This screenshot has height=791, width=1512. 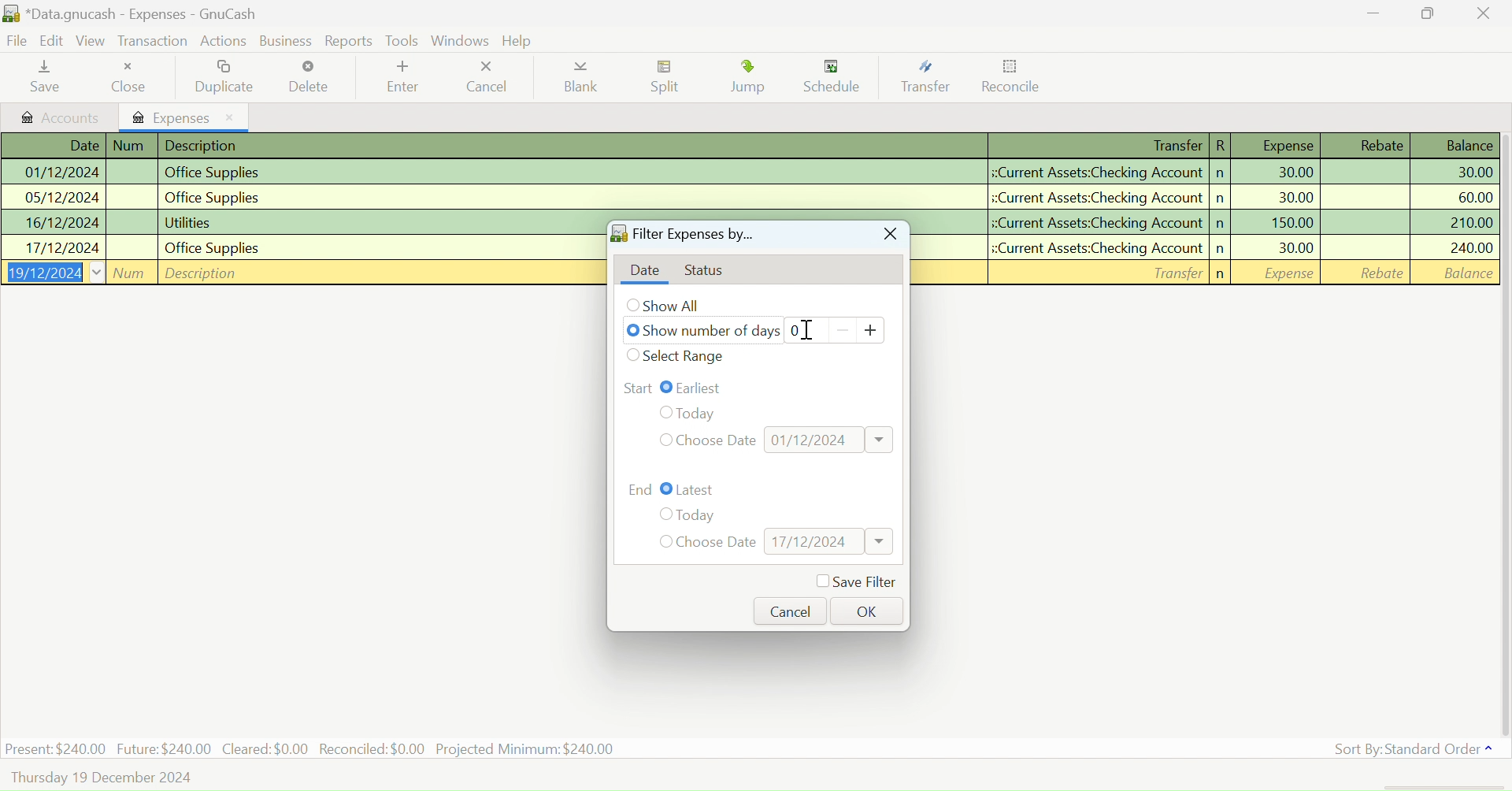 What do you see at coordinates (713, 332) in the screenshot?
I see `Show number of days` at bounding box center [713, 332].